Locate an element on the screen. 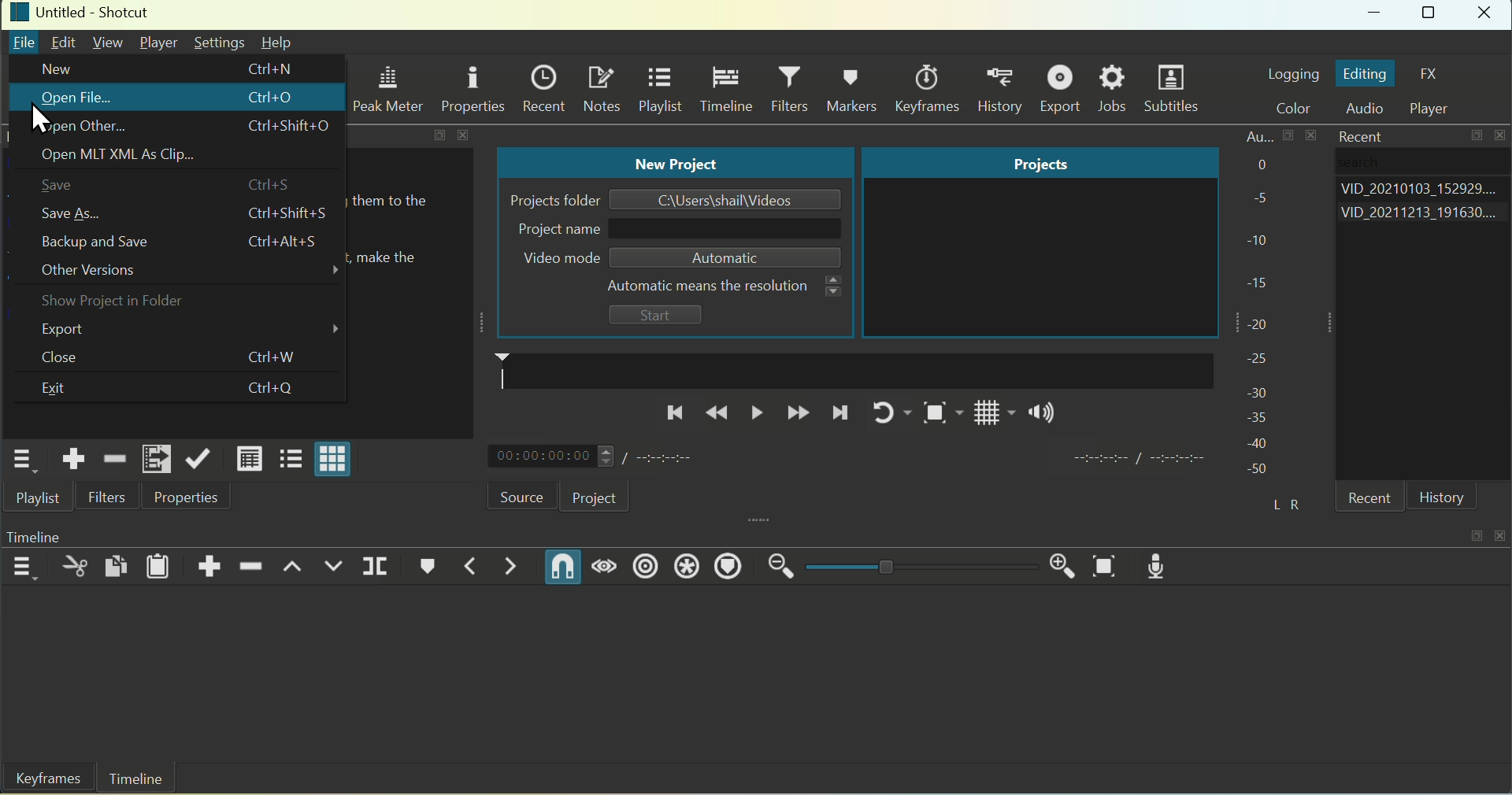 Image resolution: width=1512 pixels, height=795 pixels. Help is located at coordinates (277, 43).